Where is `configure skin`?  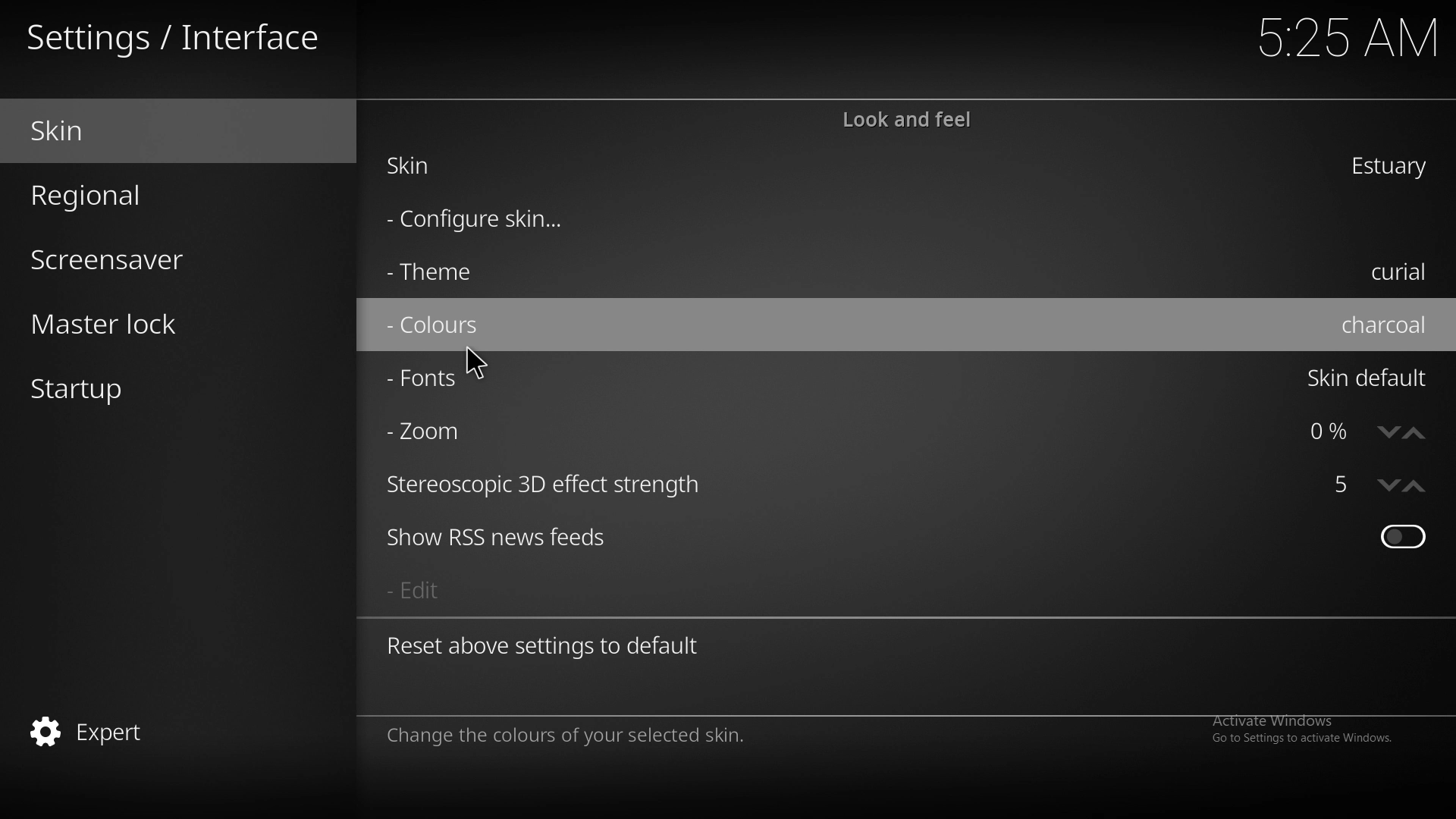
configure skin is located at coordinates (485, 221).